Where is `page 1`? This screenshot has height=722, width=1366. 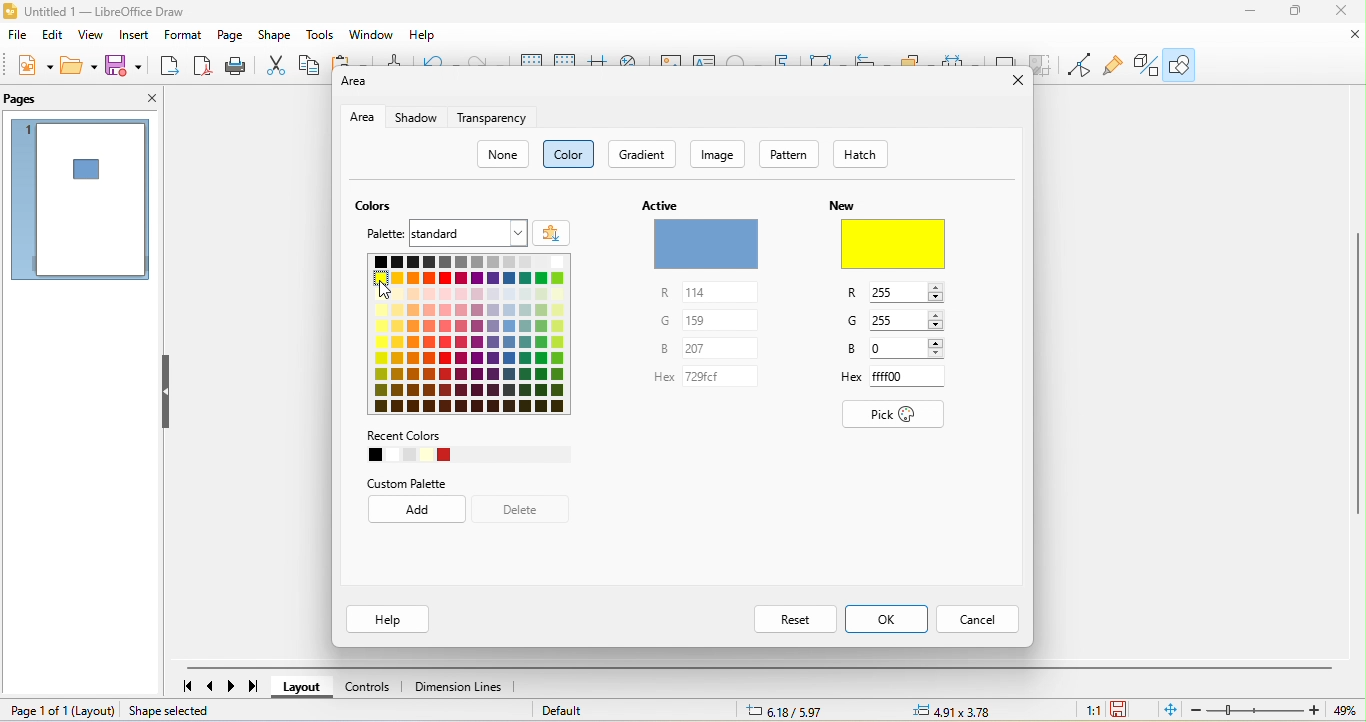 page 1 is located at coordinates (79, 203).